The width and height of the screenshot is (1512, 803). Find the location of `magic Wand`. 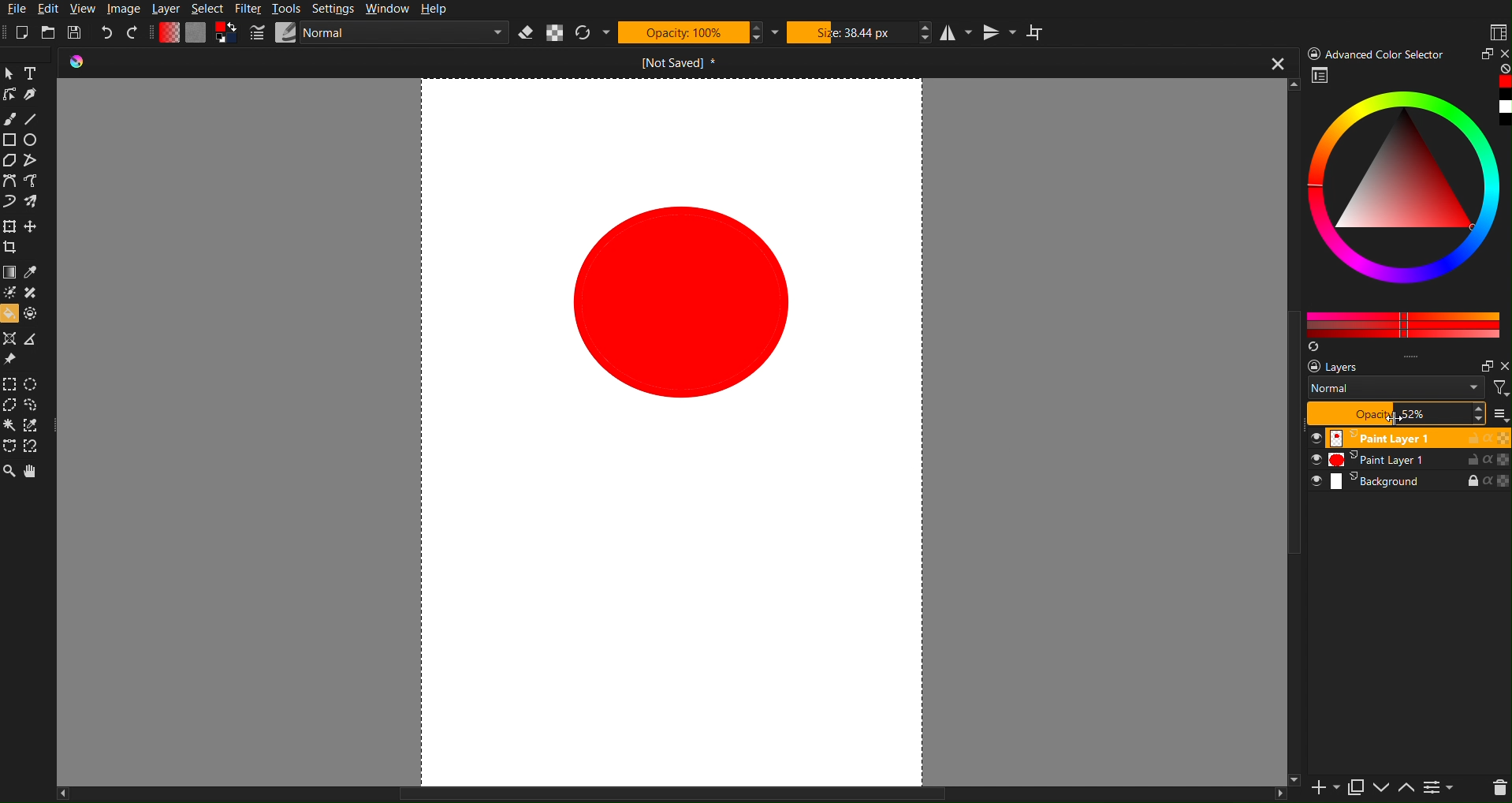

magic Wand is located at coordinates (9, 428).